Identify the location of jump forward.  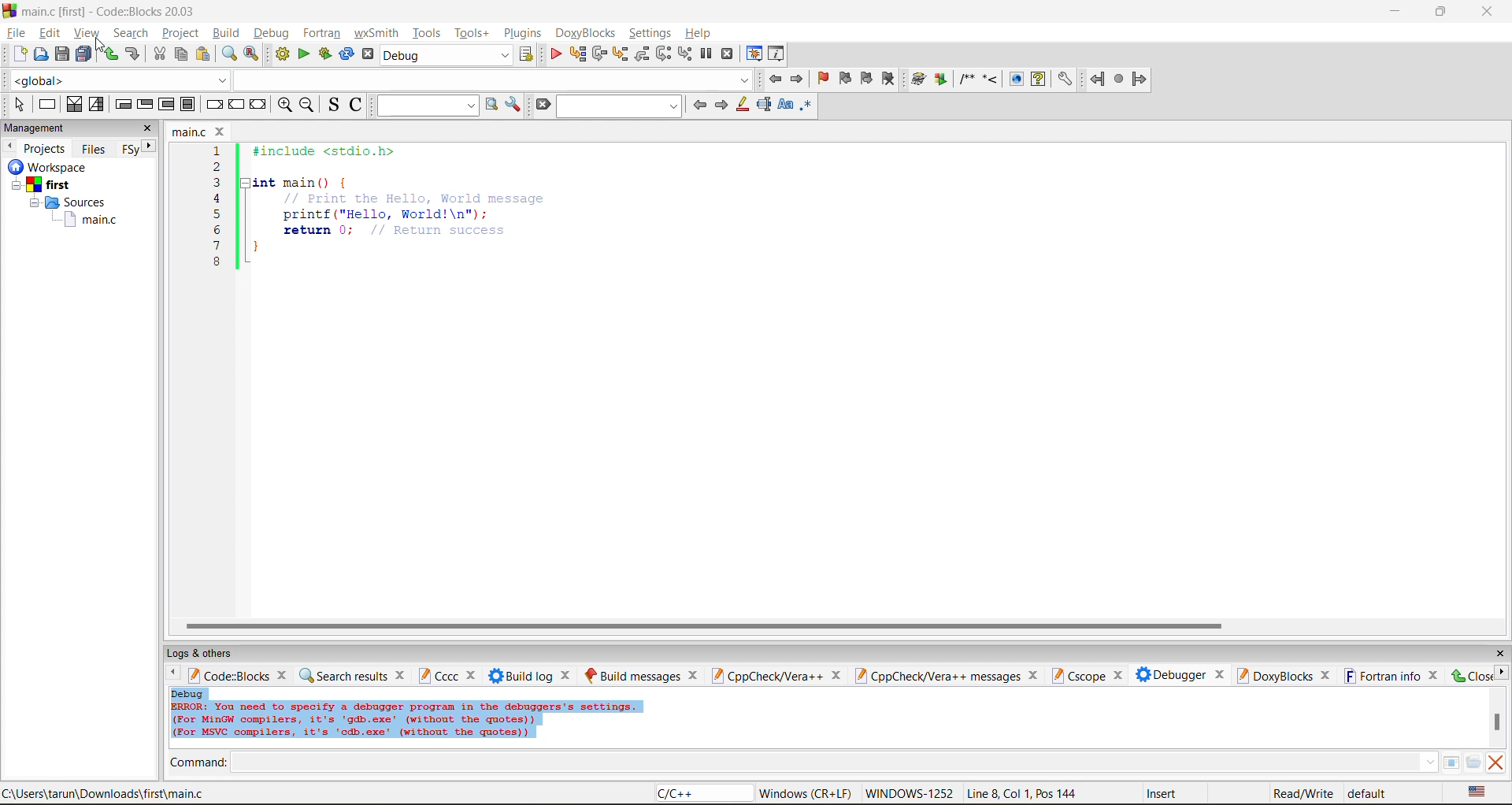
(1143, 80).